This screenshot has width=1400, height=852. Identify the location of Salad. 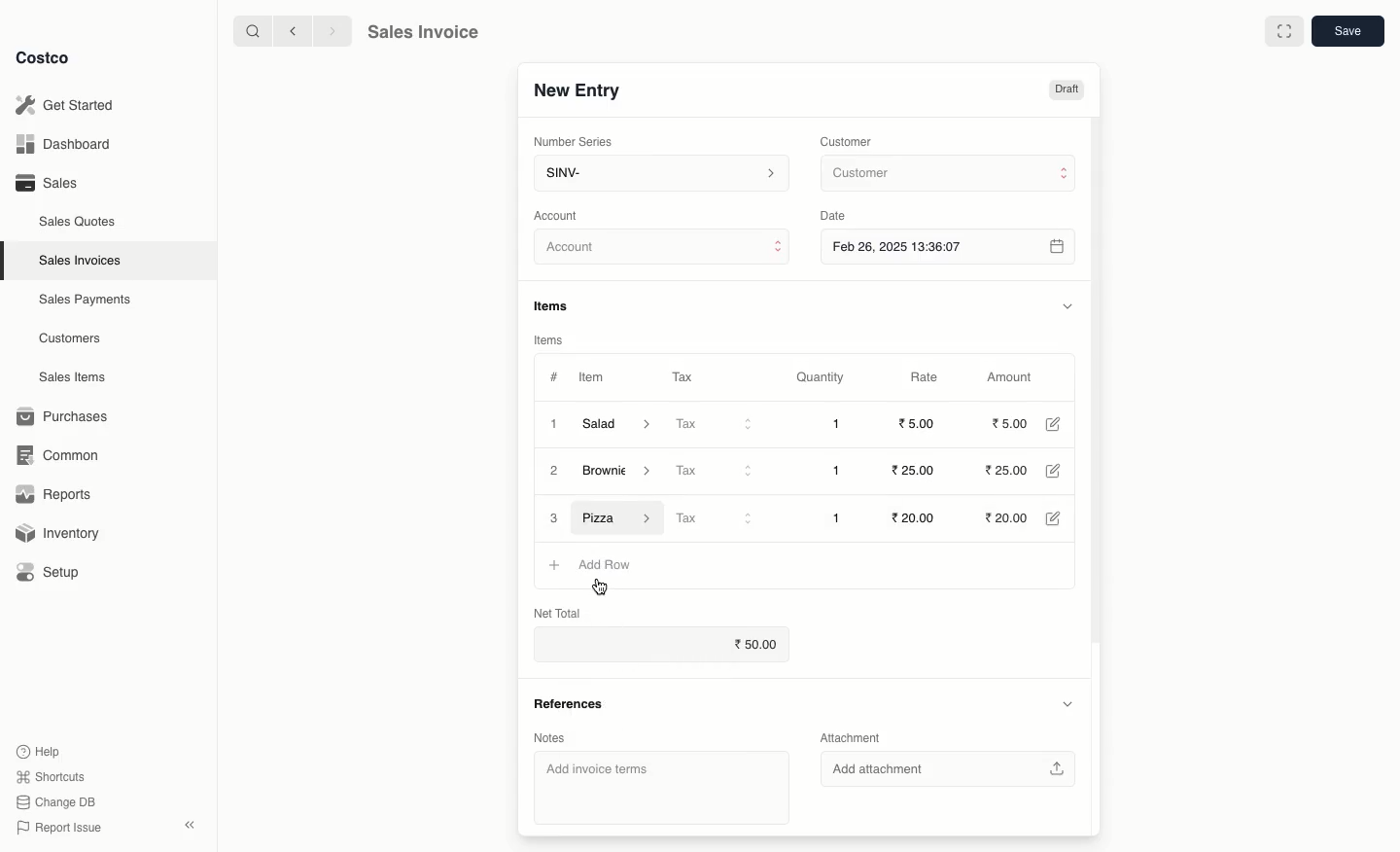
(617, 424).